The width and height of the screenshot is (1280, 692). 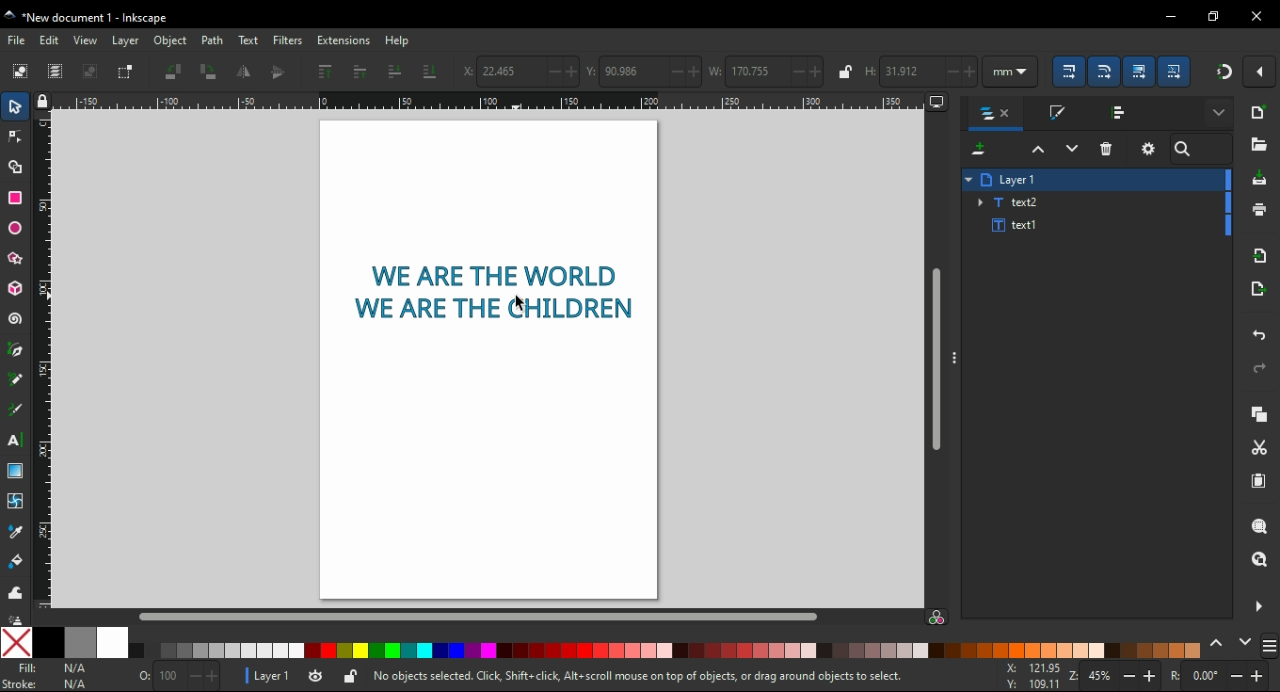 I want to click on text1, so click(x=1015, y=226).